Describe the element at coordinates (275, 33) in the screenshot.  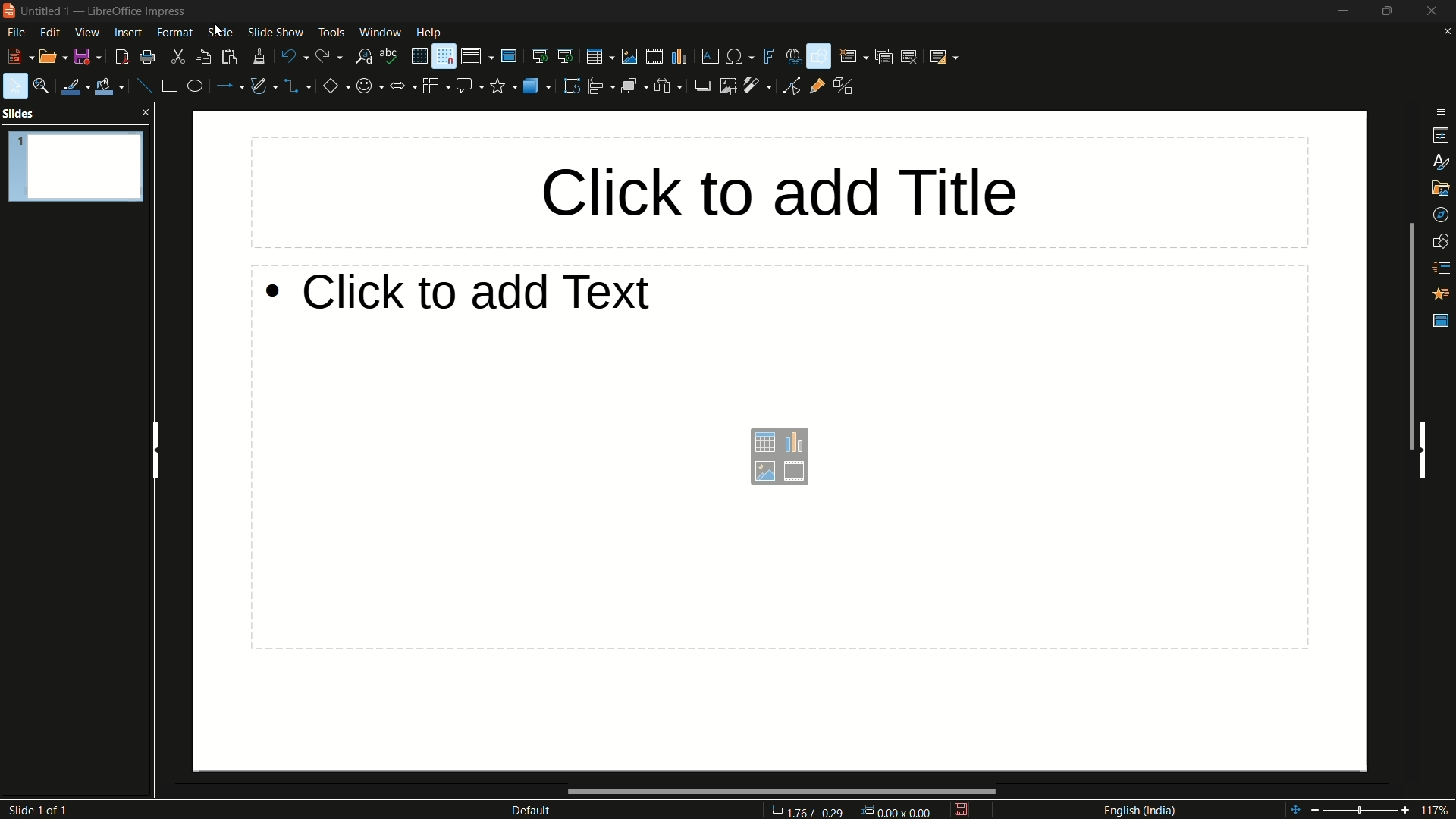
I see `slide show menu` at that location.